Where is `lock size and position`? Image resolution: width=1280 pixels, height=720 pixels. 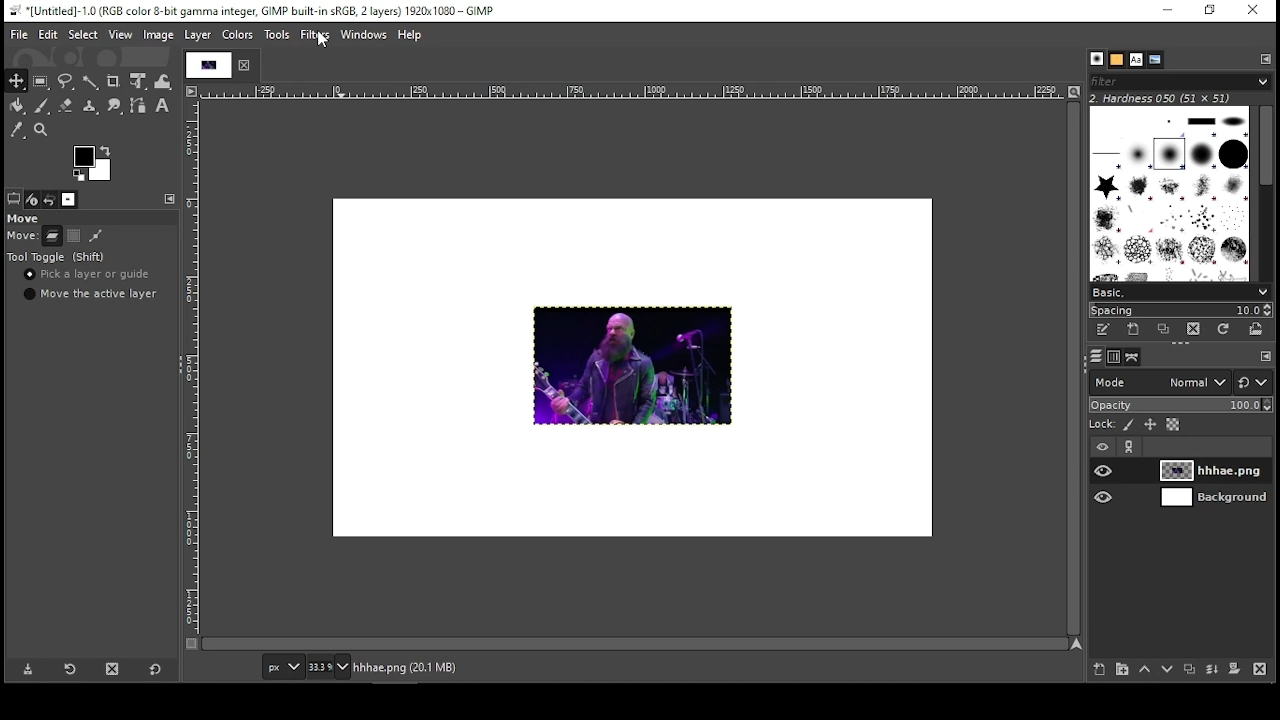
lock size and position is located at coordinates (1152, 423).